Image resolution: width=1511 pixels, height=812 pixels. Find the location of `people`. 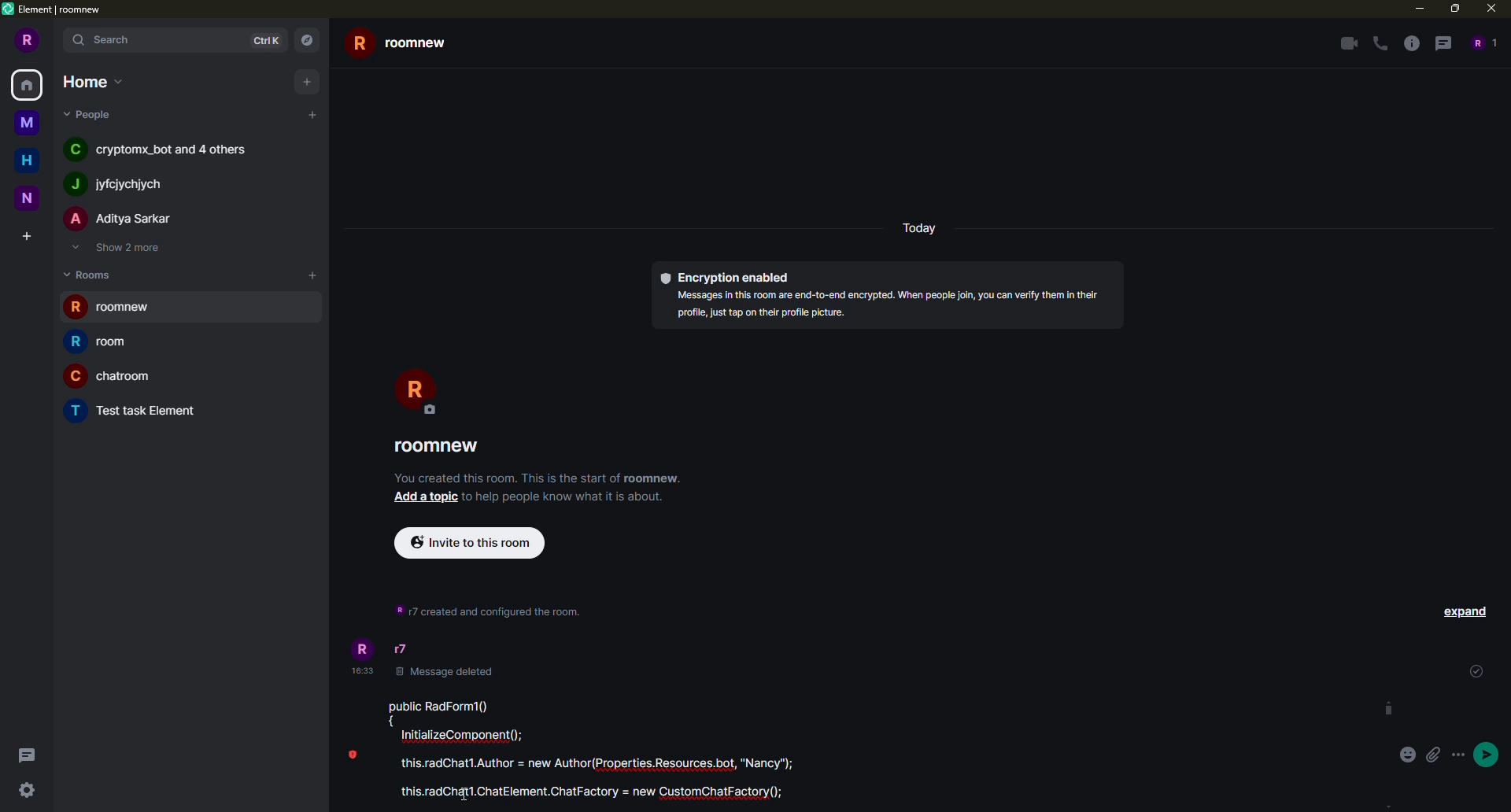

people is located at coordinates (1483, 42).